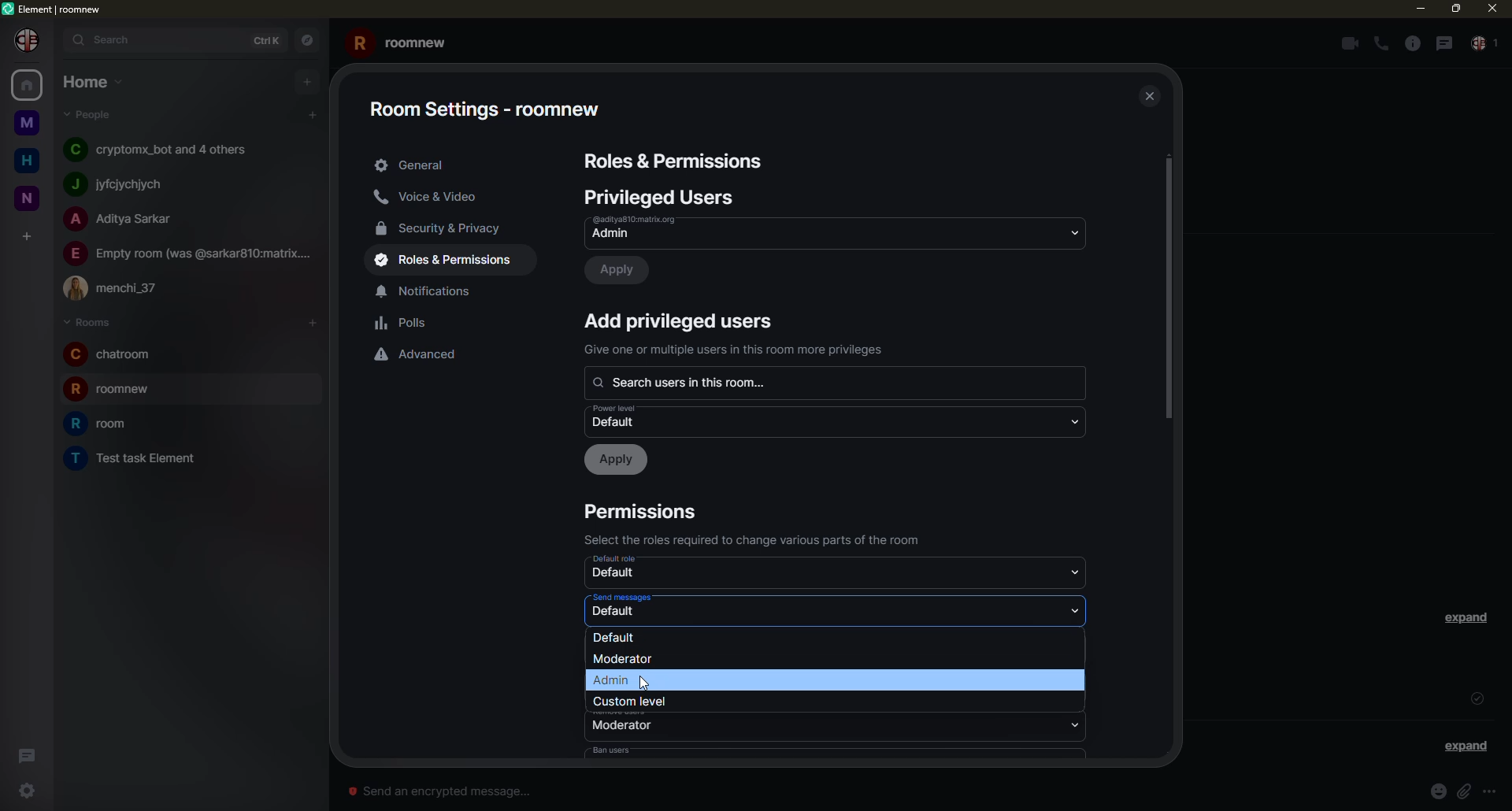  What do you see at coordinates (1080, 610) in the screenshot?
I see `drop` at bounding box center [1080, 610].